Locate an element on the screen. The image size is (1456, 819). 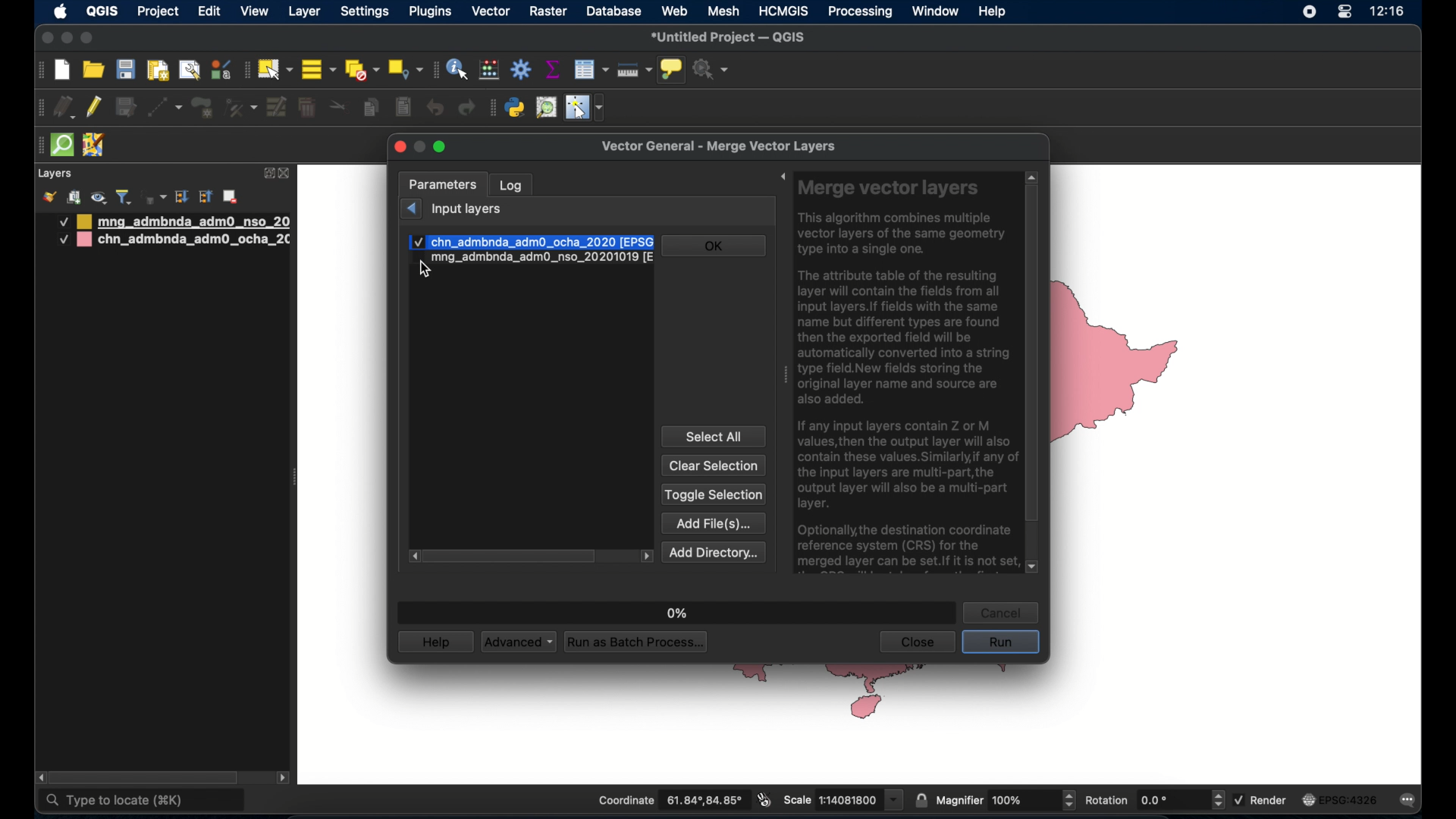
magnifier is located at coordinates (1006, 800).